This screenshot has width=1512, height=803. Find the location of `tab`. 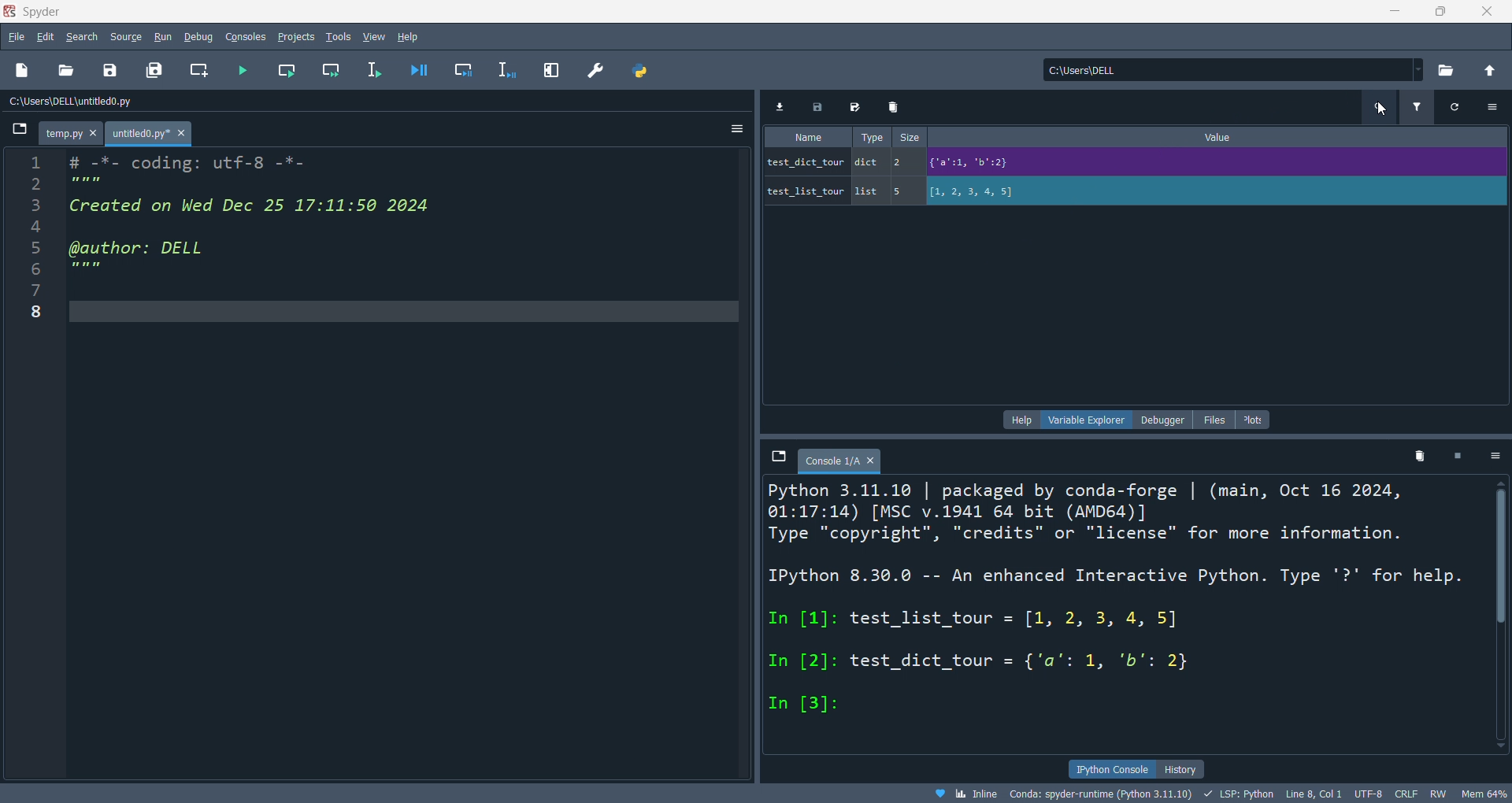

tab is located at coordinates (149, 133).